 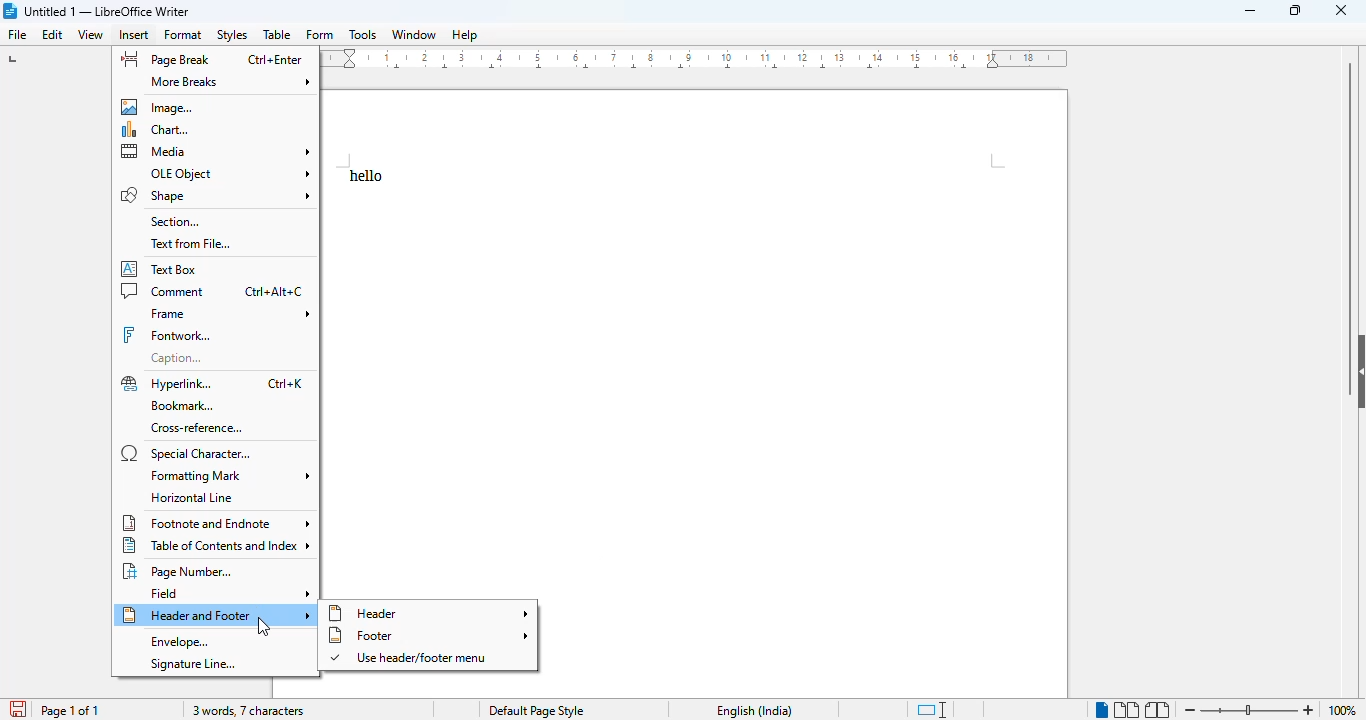 What do you see at coordinates (229, 314) in the screenshot?
I see `frame` at bounding box center [229, 314].